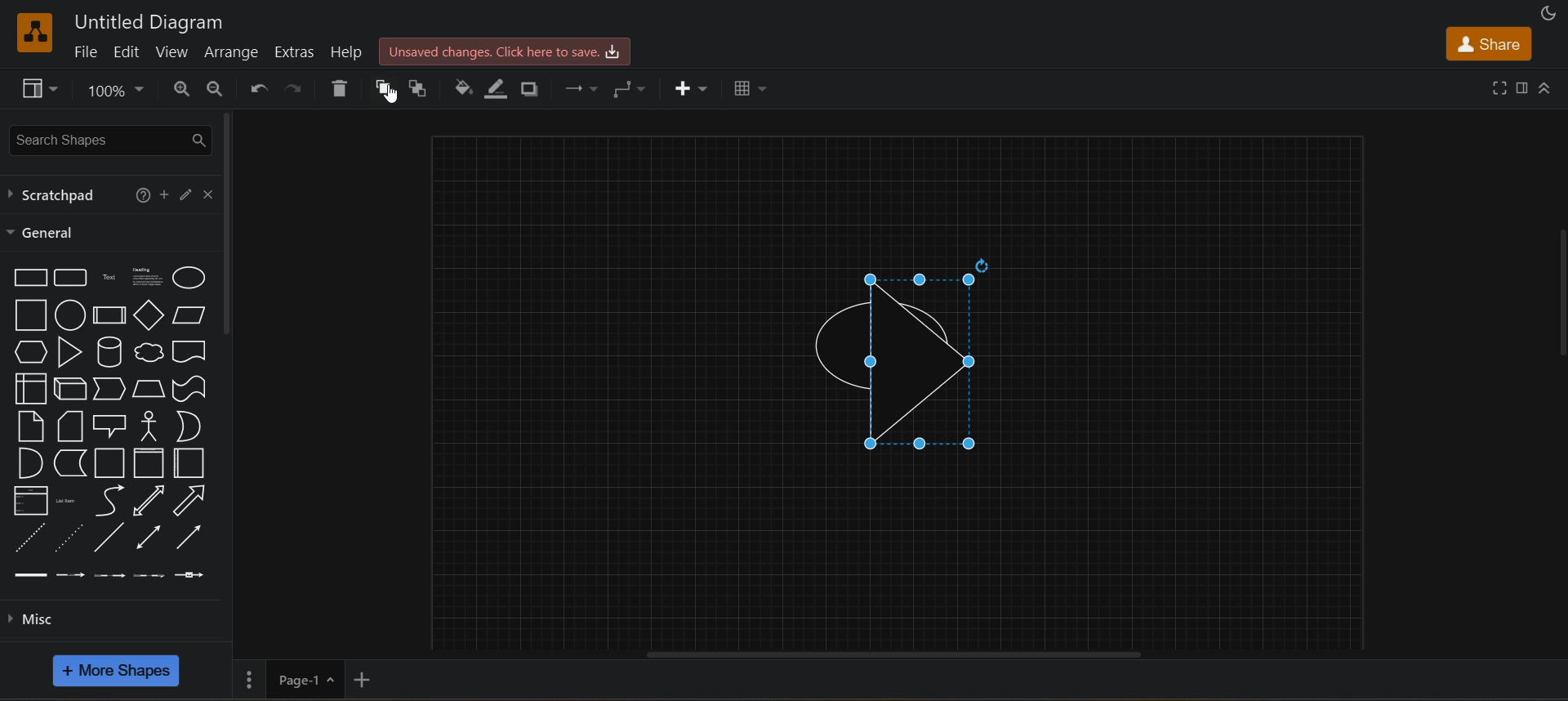 This screenshot has height=701, width=1568. What do you see at coordinates (532, 90) in the screenshot?
I see `shadow` at bounding box center [532, 90].